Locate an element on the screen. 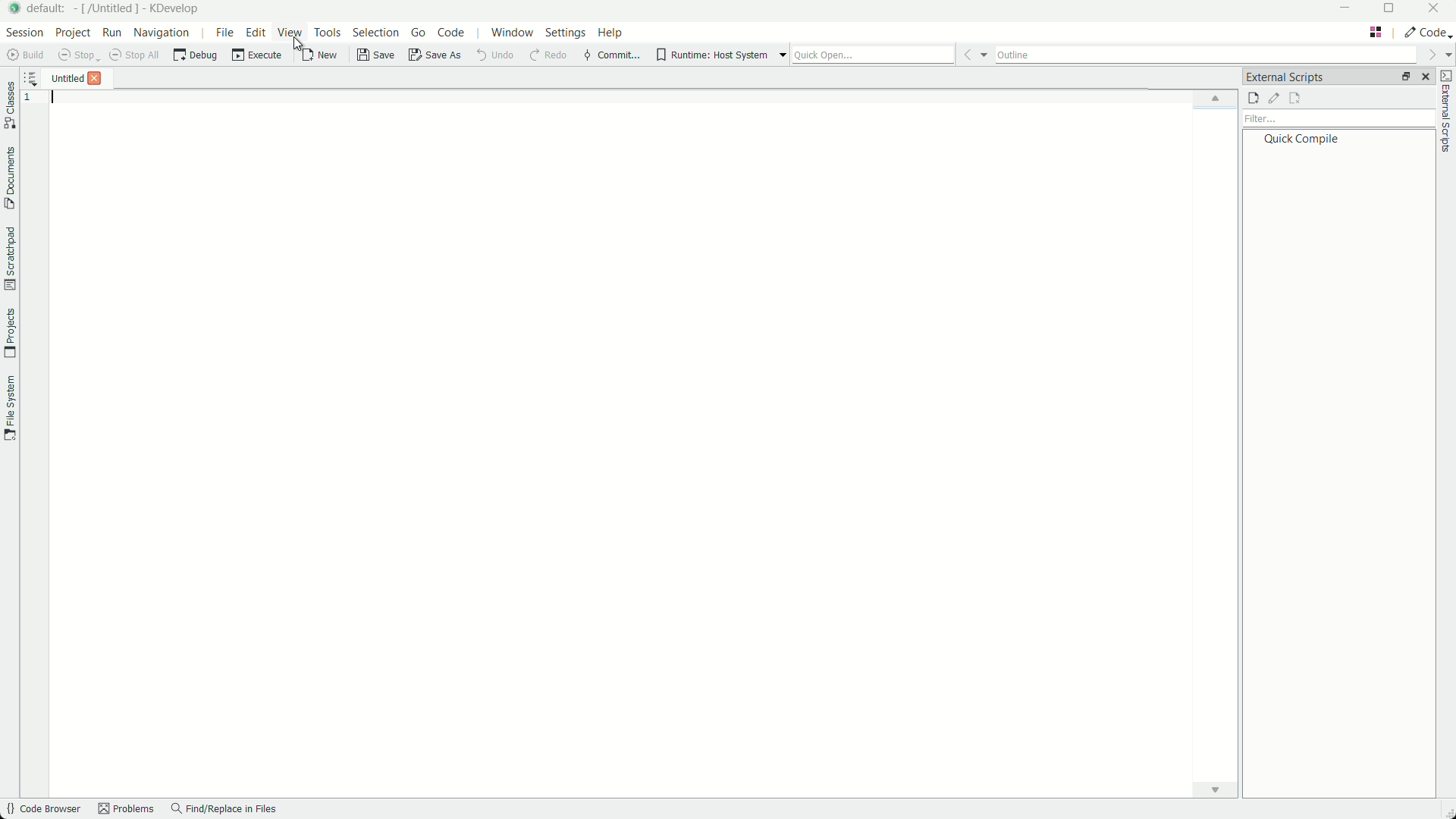 This screenshot has width=1456, height=819. commit is located at coordinates (611, 55).